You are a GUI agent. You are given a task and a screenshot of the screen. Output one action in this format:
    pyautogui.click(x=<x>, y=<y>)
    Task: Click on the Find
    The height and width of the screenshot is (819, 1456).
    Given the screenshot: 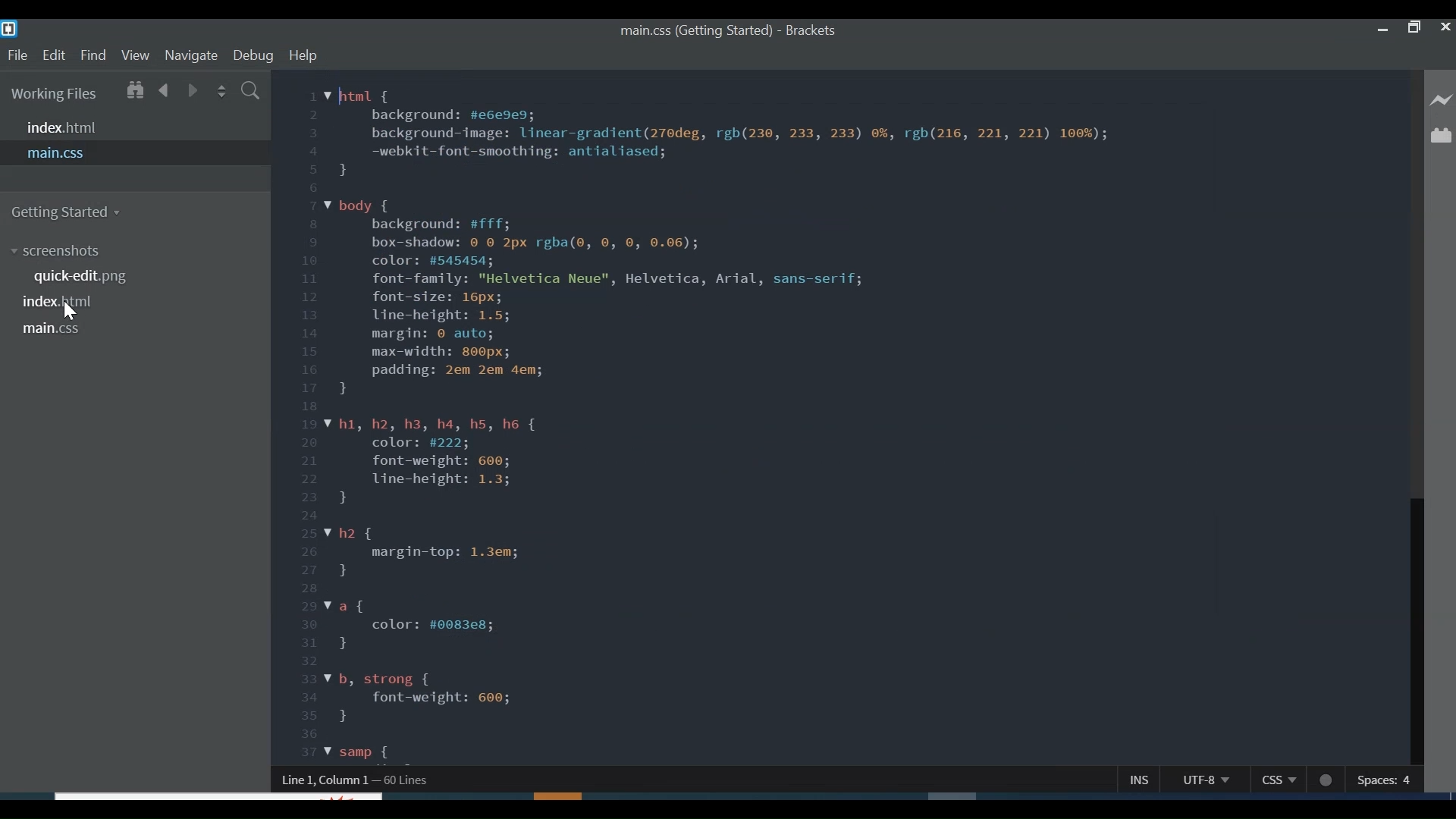 What is the action you would take?
    pyautogui.click(x=93, y=55)
    